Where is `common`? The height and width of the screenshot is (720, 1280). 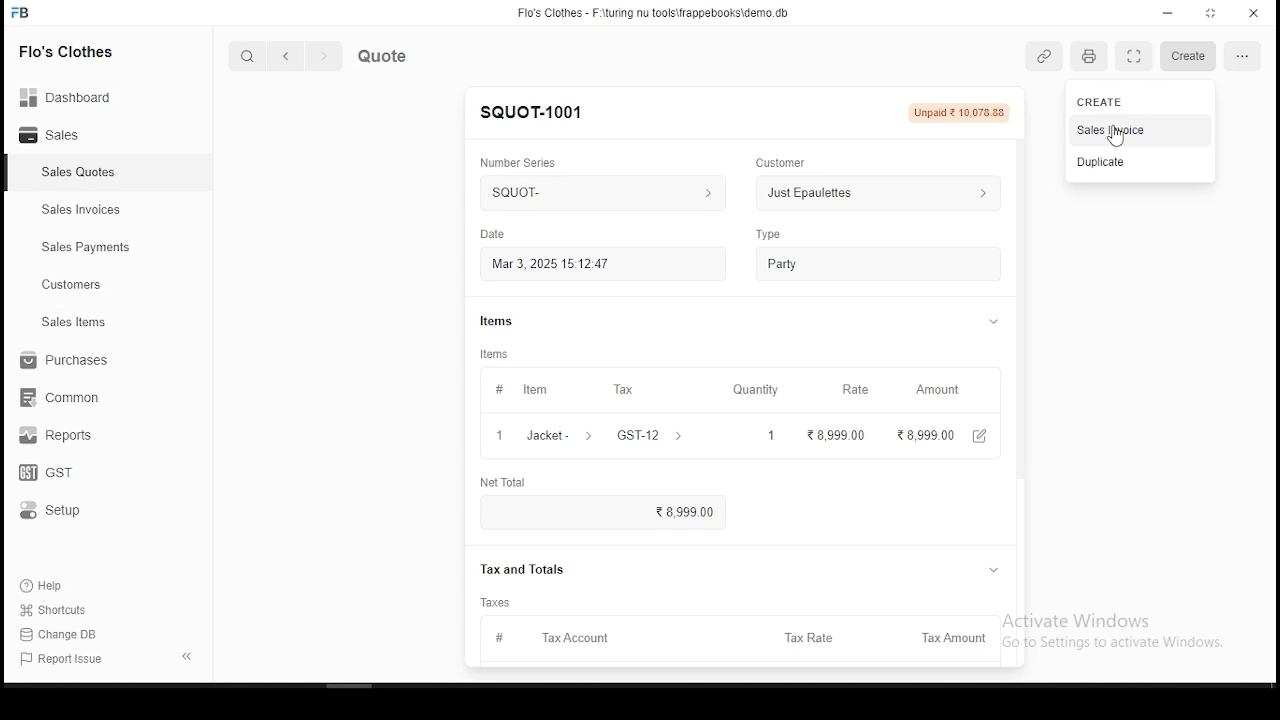 common is located at coordinates (67, 397).